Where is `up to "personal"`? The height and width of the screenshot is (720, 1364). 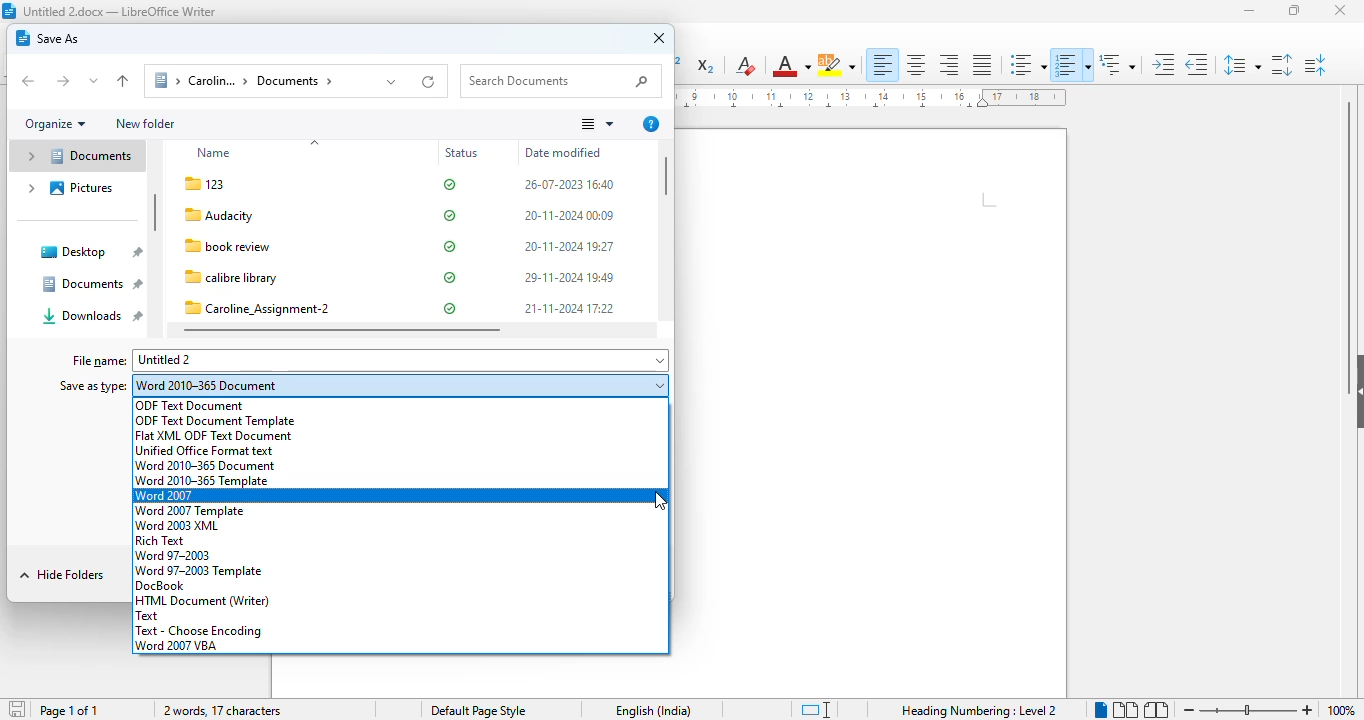 up to "personal" is located at coordinates (122, 81).